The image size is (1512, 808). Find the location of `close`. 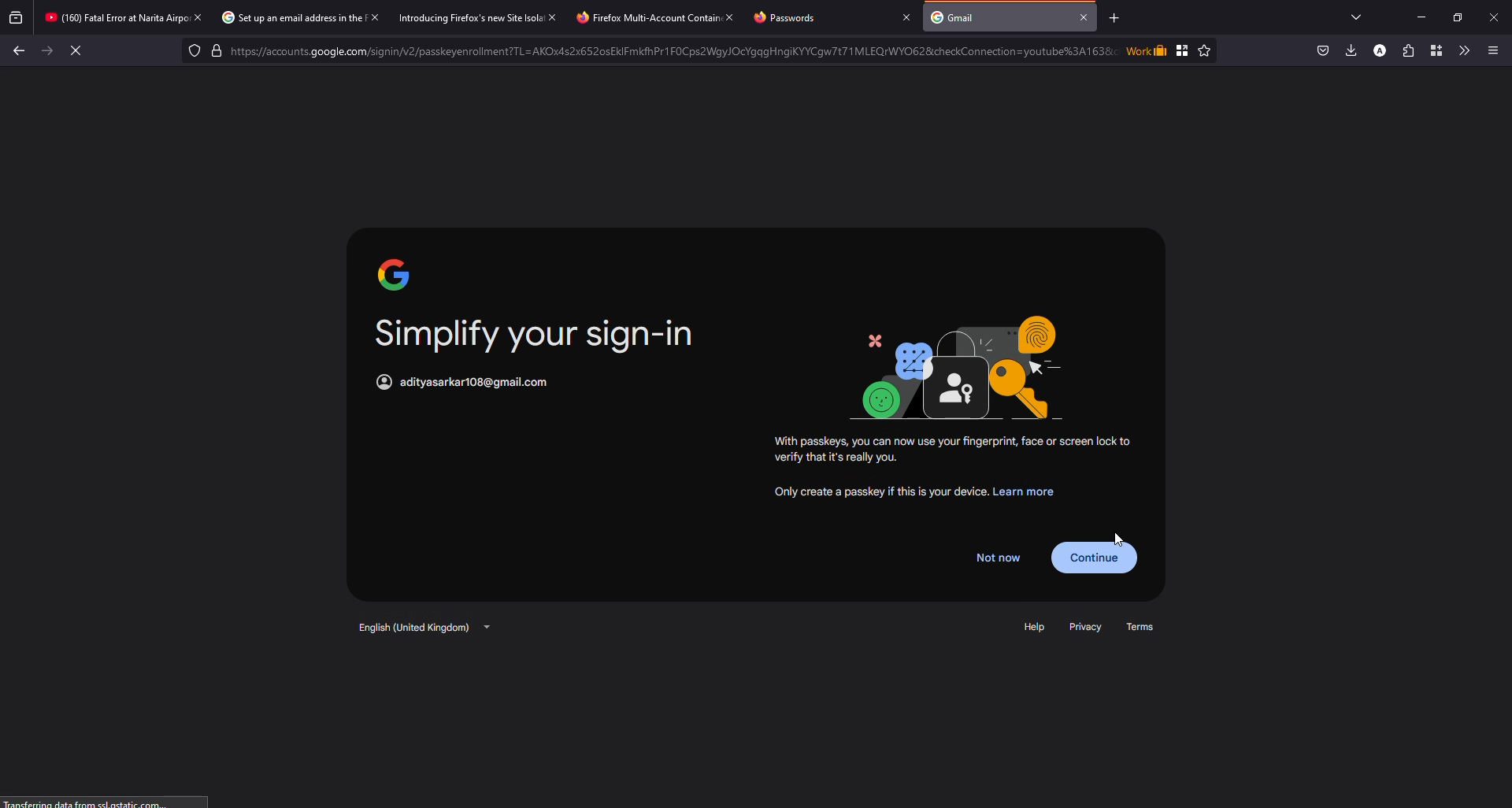

close is located at coordinates (903, 17).